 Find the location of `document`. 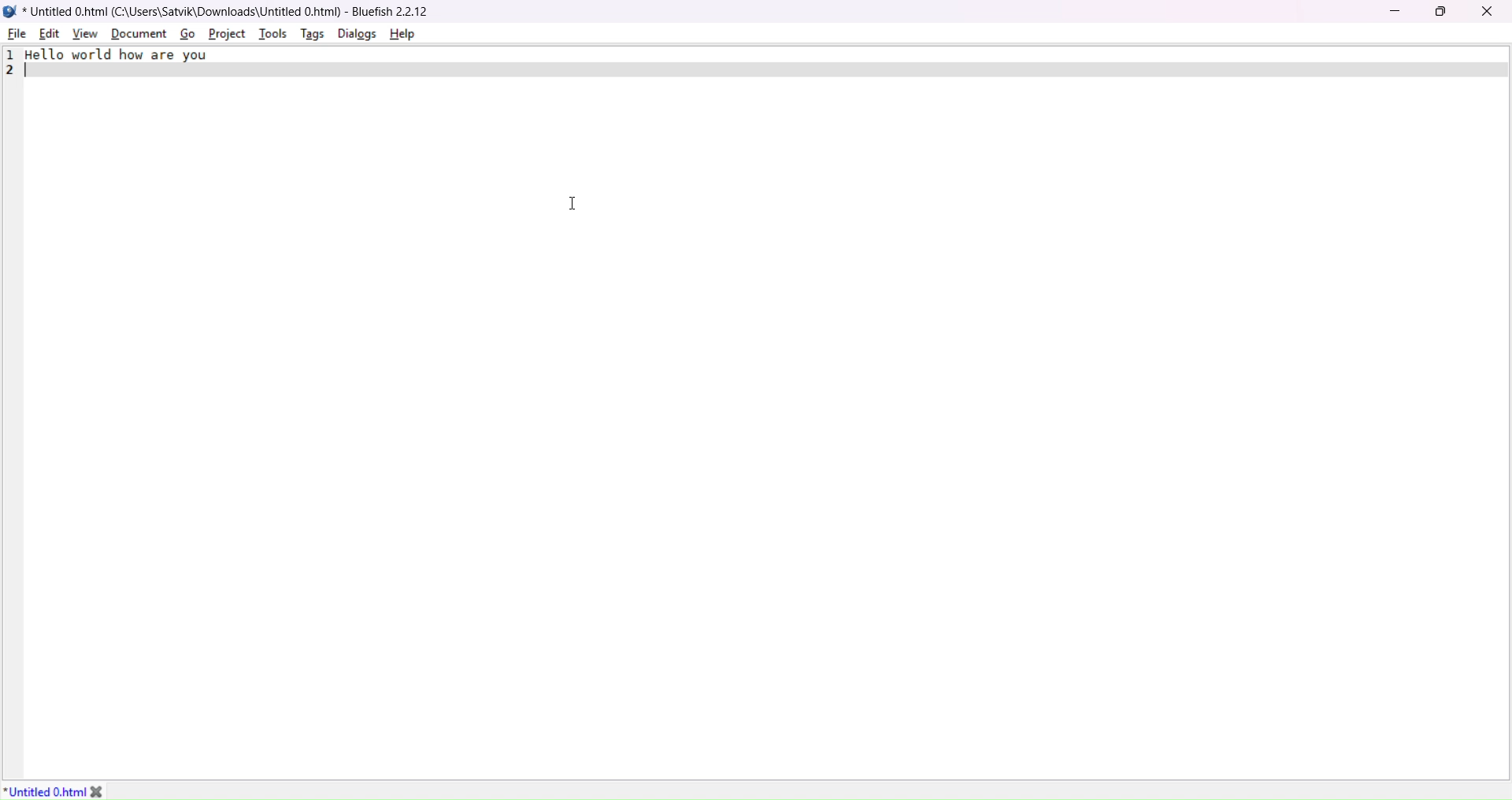

document is located at coordinates (139, 35).